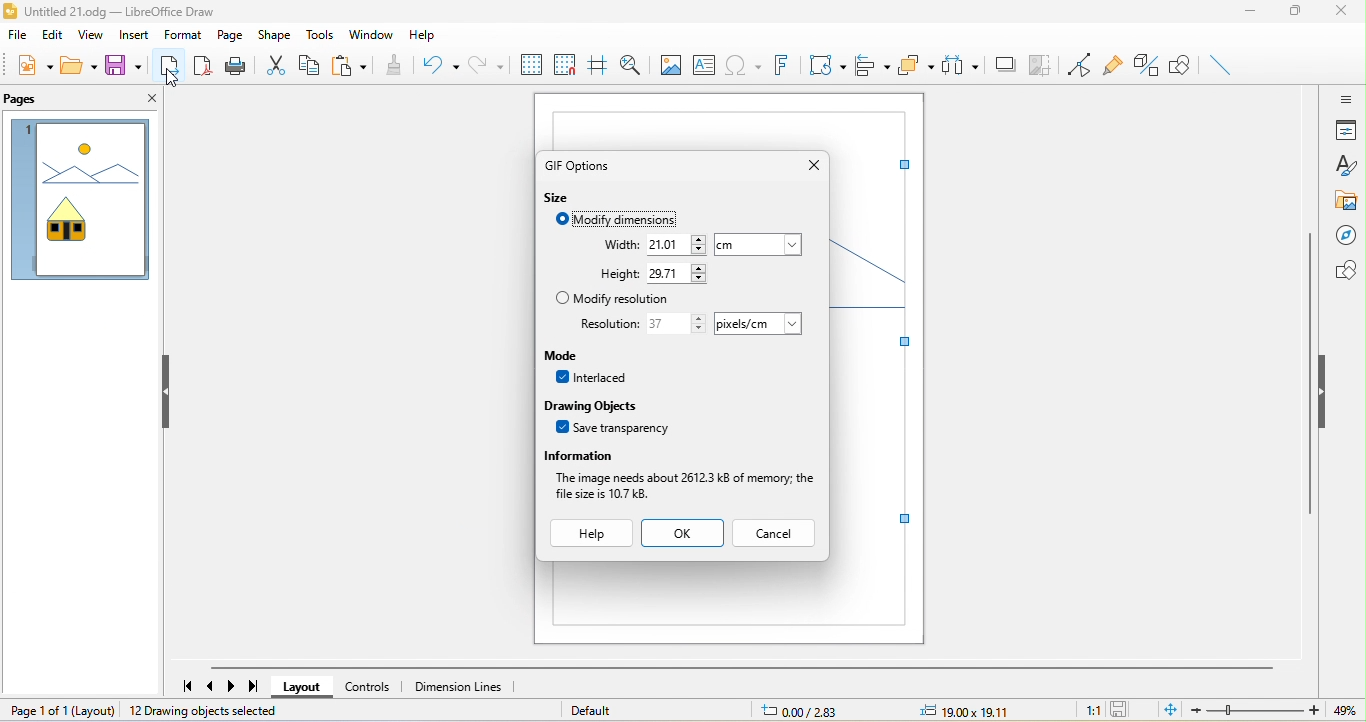  Describe the element at coordinates (1224, 67) in the screenshot. I see `line tool` at that location.